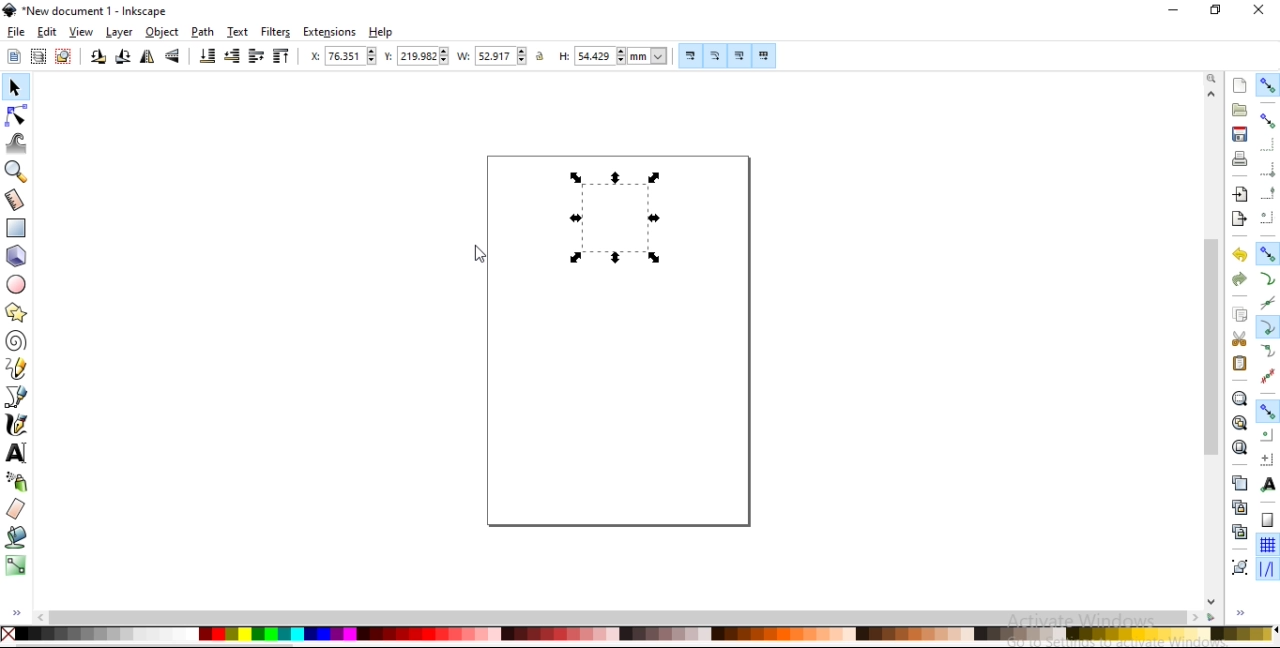 This screenshot has width=1280, height=648. What do you see at coordinates (1237, 220) in the screenshot?
I see `export a document` at bounding box center [1237, 220].